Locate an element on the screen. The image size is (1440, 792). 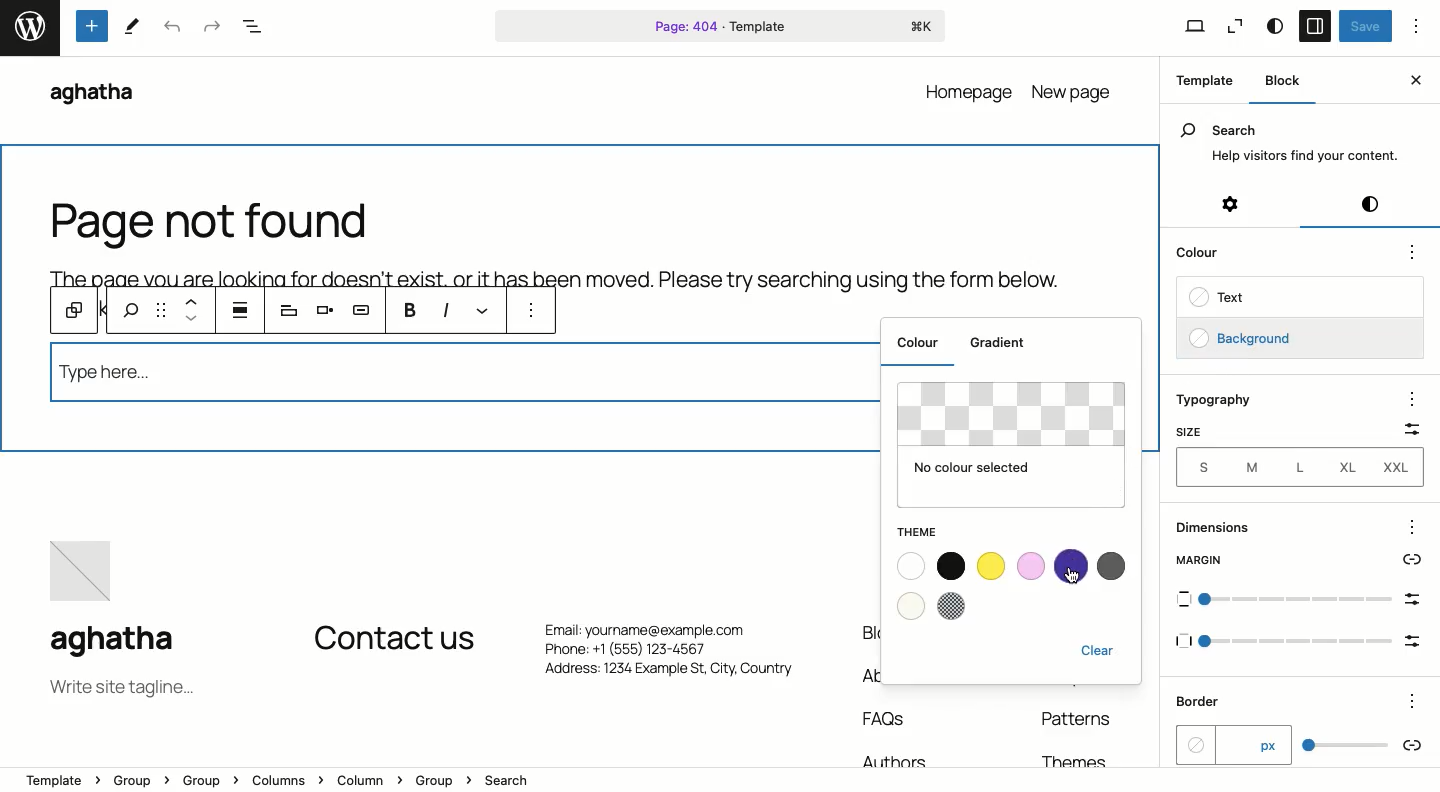
Themes is located at coordinates (1080, 758).